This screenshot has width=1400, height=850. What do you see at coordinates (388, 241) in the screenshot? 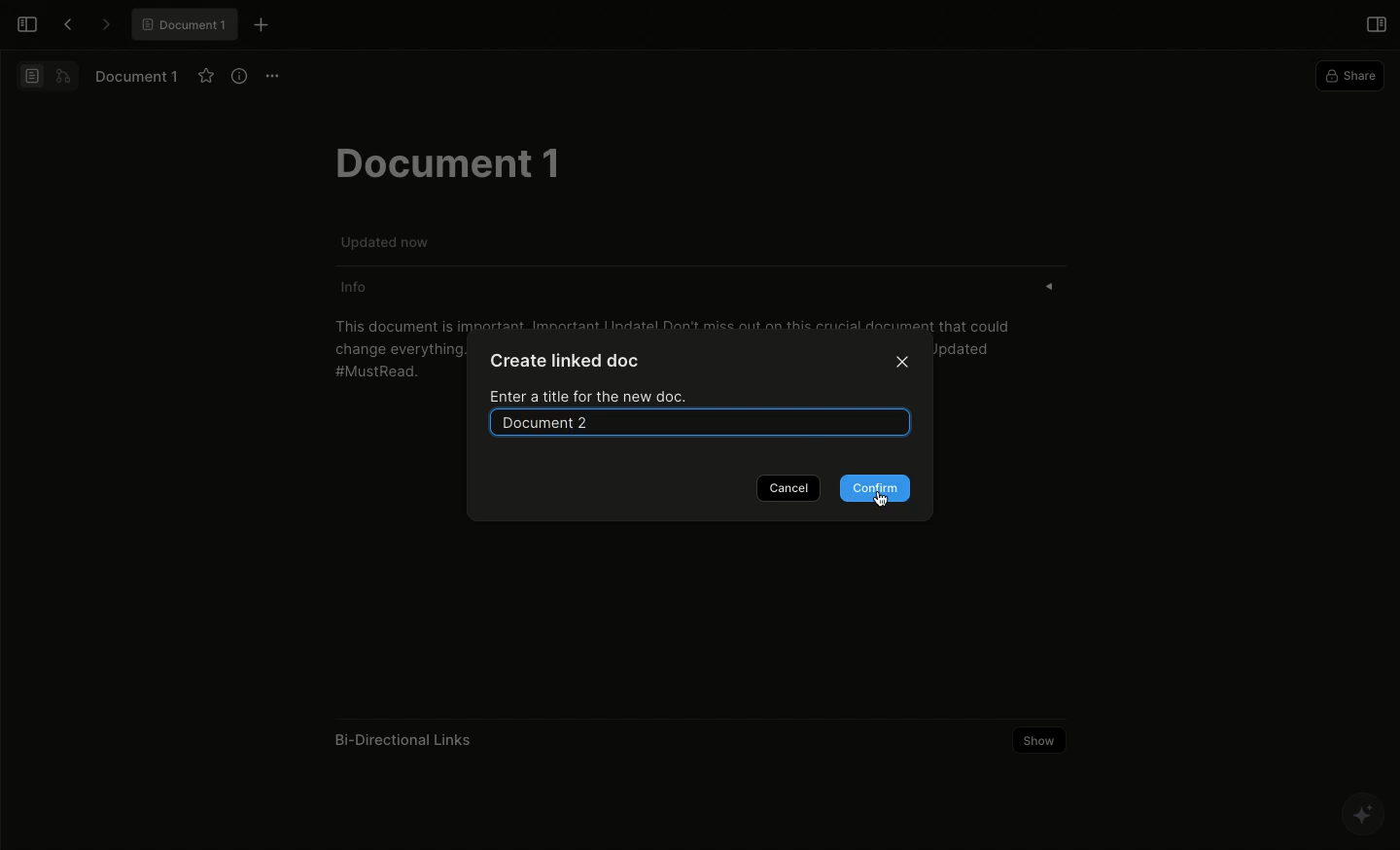
I see `Updated now` at bounding box center [388, 241].